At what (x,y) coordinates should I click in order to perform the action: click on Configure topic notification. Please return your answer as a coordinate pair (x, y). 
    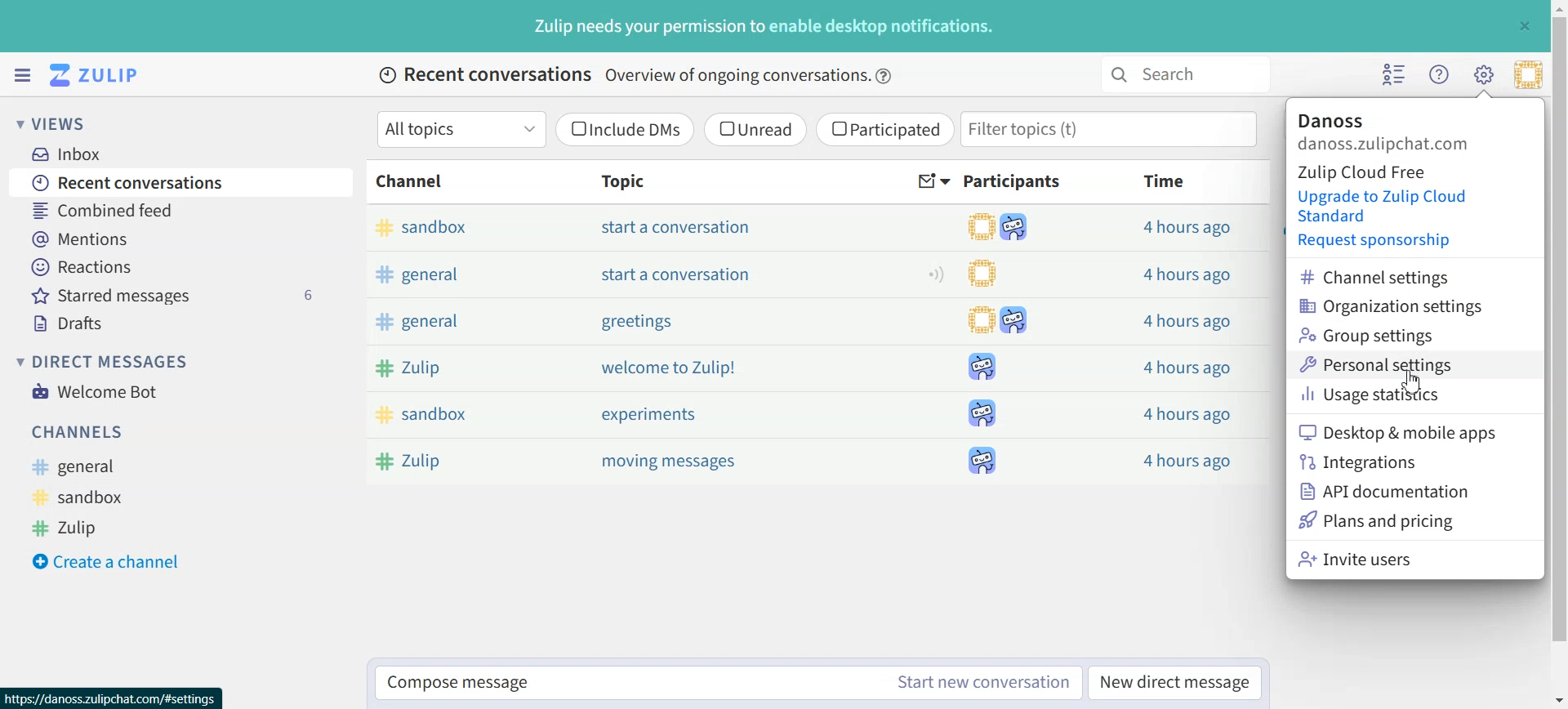
    Looking at the image, I should click on (936, 274).